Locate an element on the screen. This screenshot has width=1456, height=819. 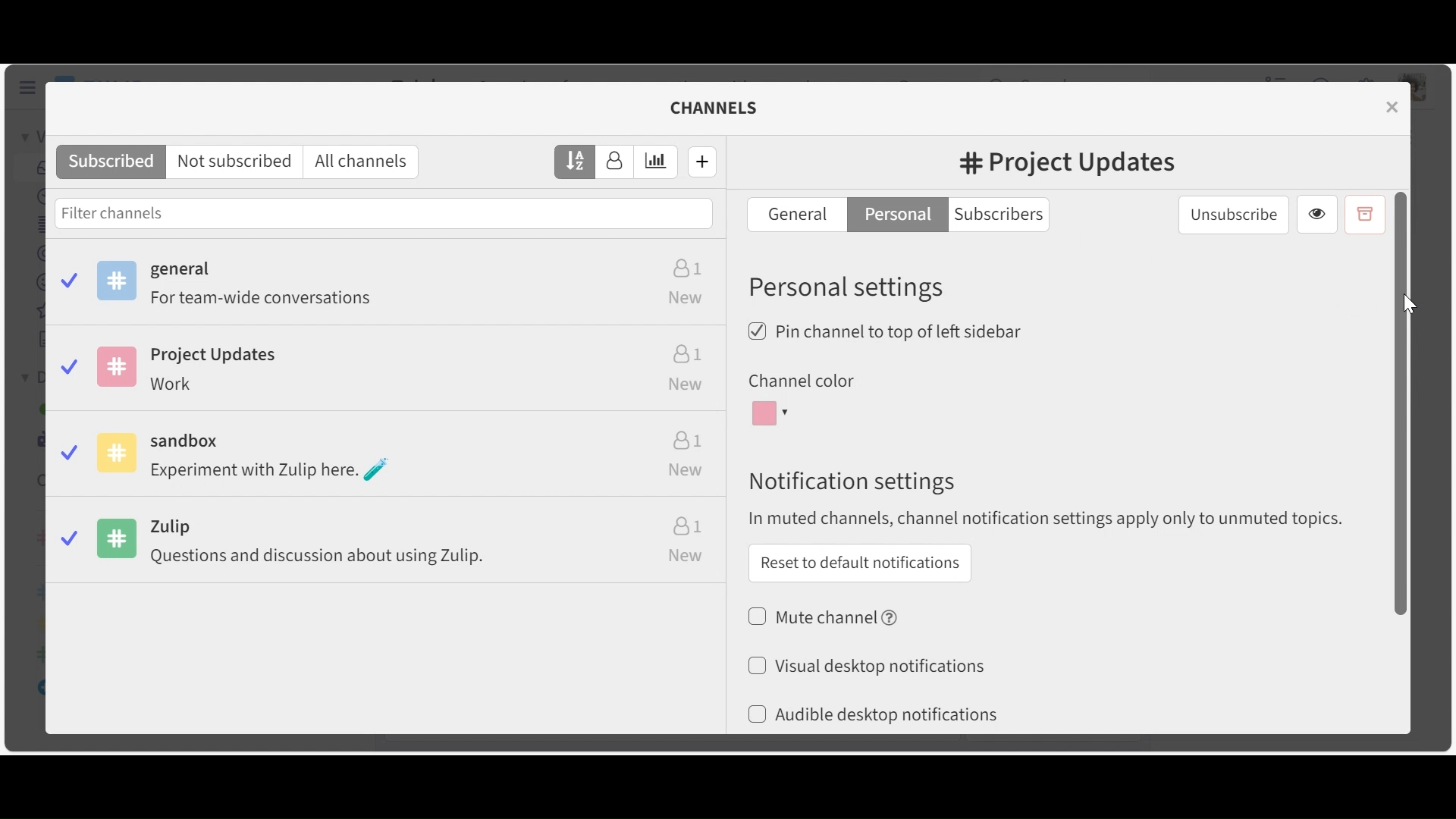
Sandbox is located at coordinates (388, 458).